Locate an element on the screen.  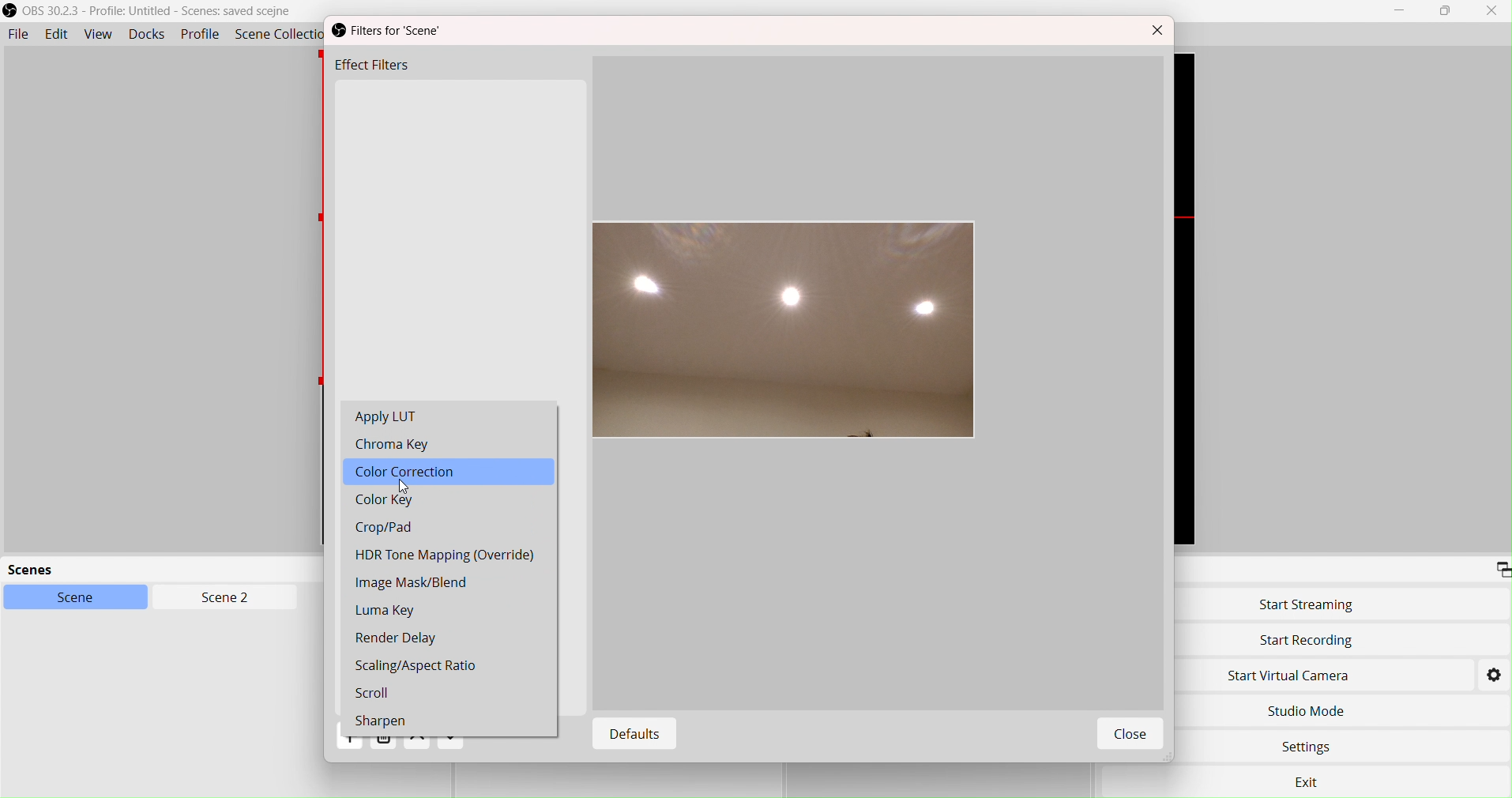
Close is located at coordinates (1128, 736).